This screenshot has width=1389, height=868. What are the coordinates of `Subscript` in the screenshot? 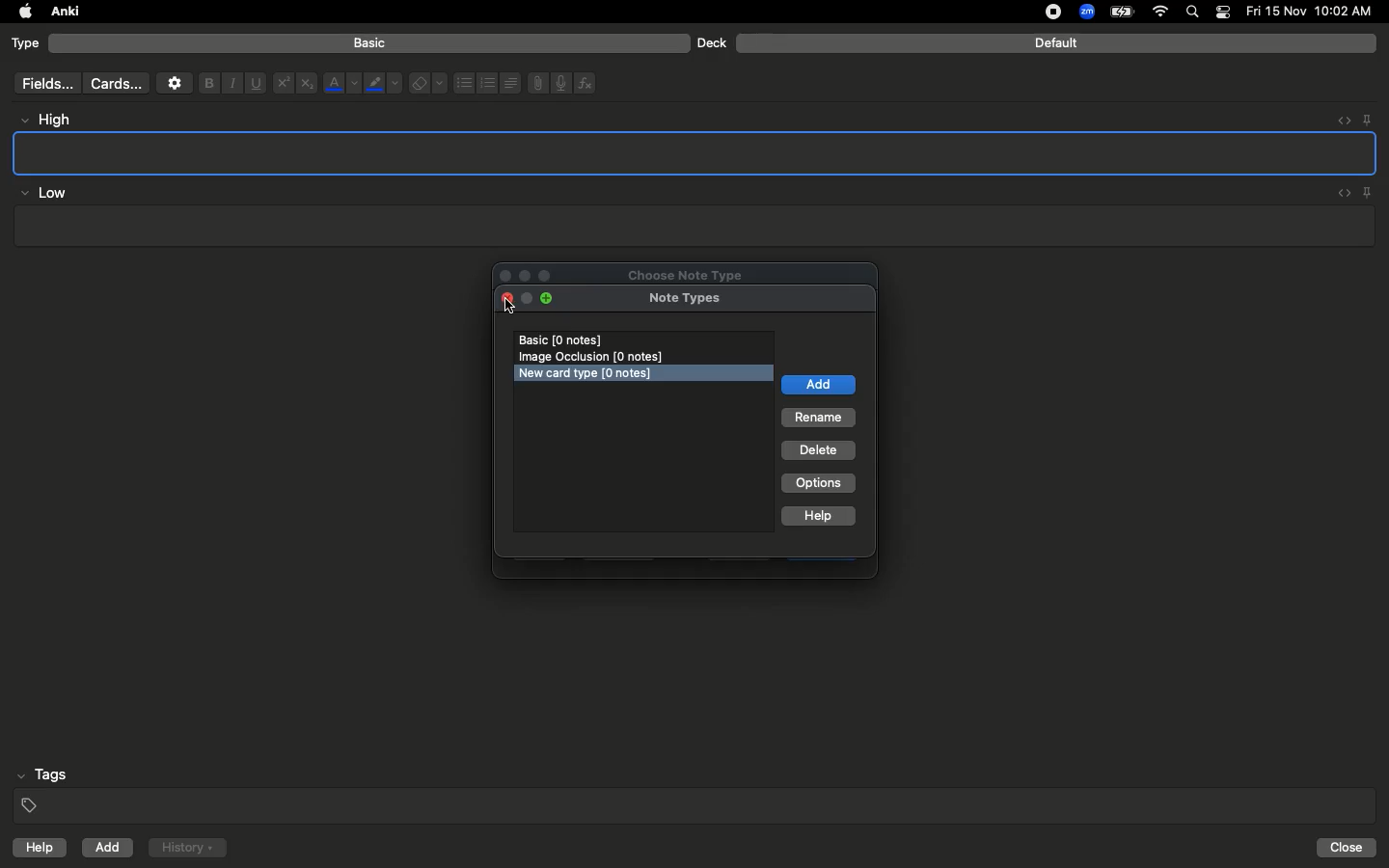 It's located at (307, 84).